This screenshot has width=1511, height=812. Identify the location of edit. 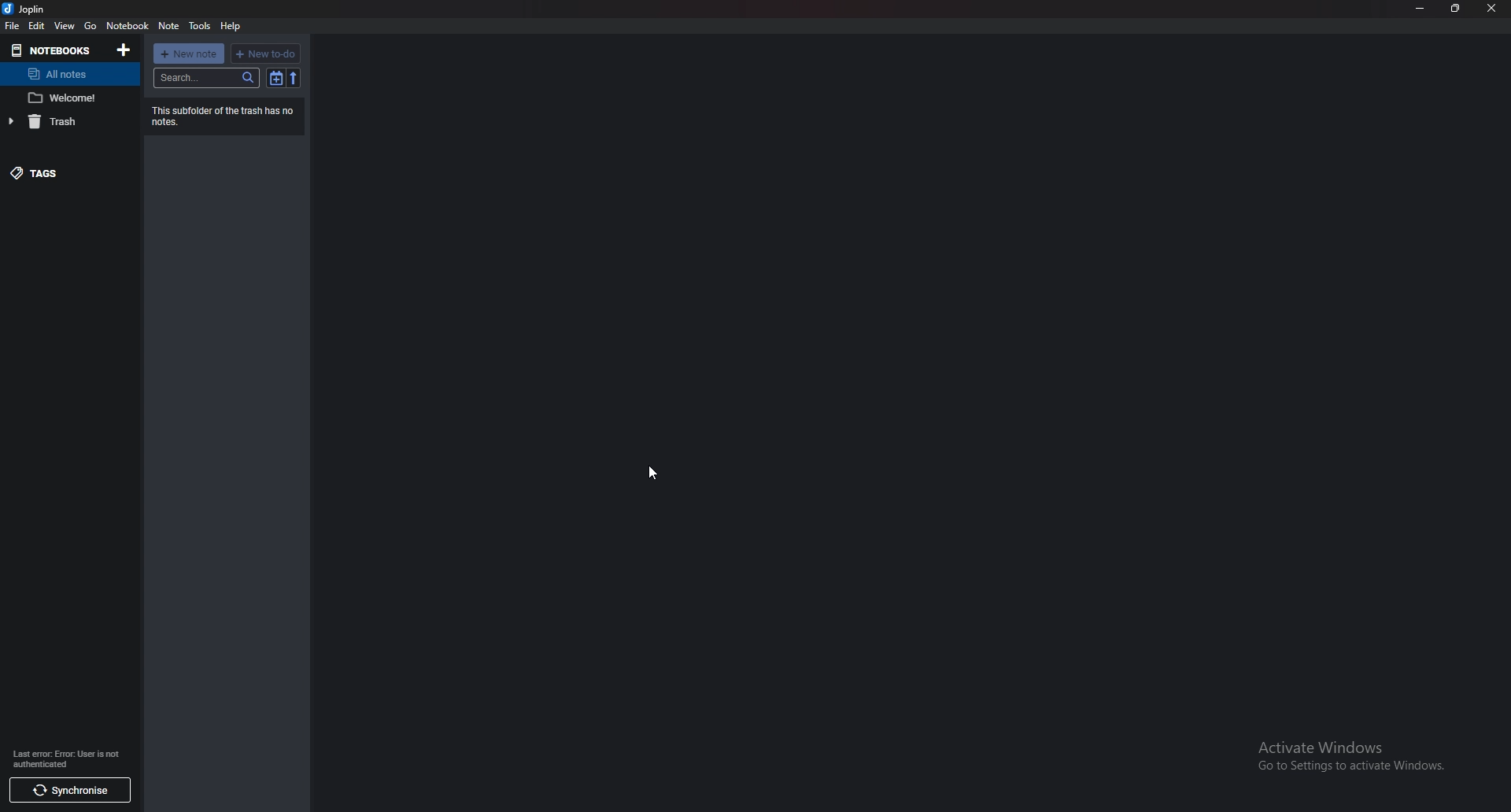
(38, 26).